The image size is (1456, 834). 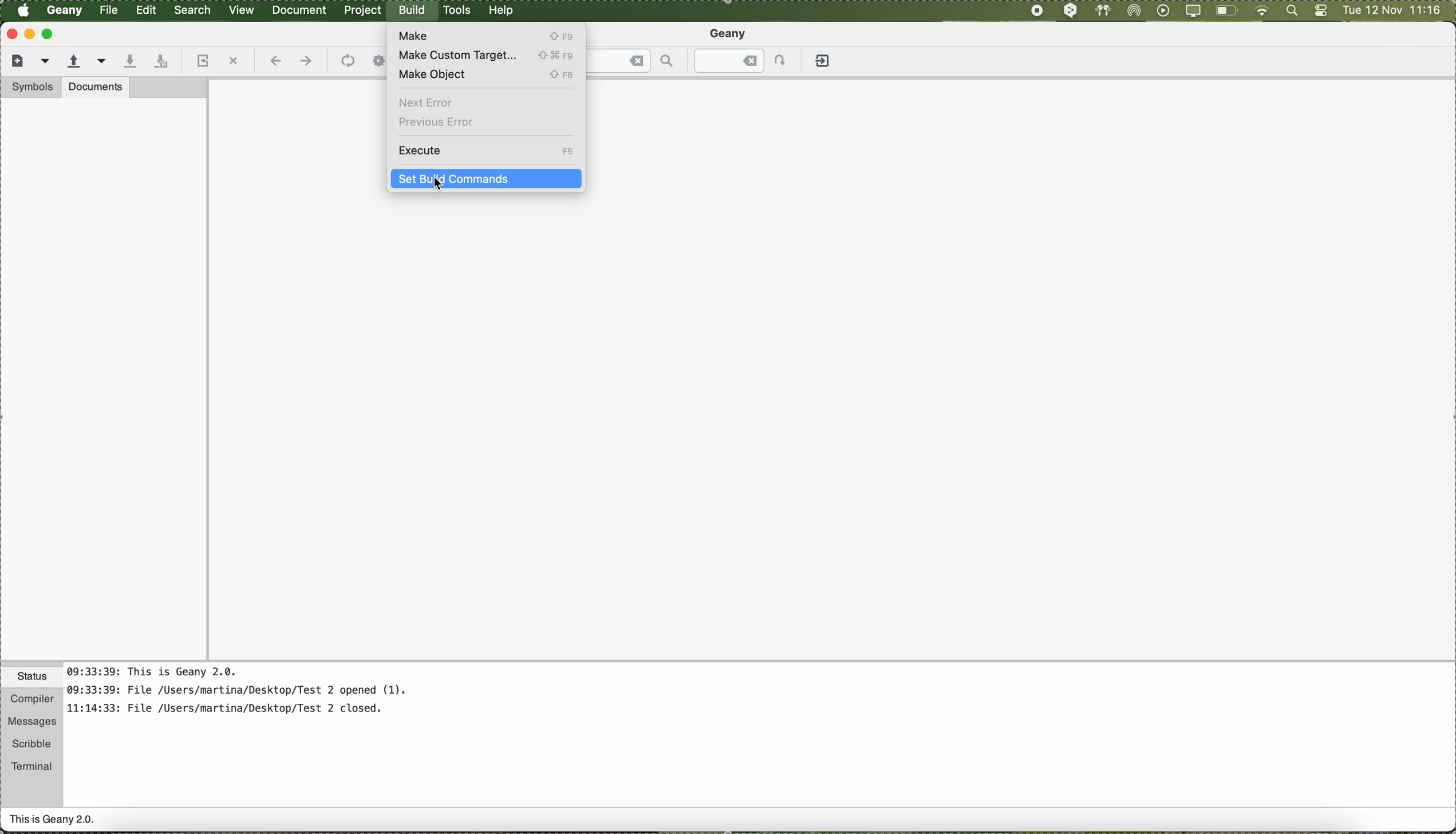 What do you see at coordinates (74, 62) in the screenshot?
I see `open an existing file` at bounding box center [74, 62].